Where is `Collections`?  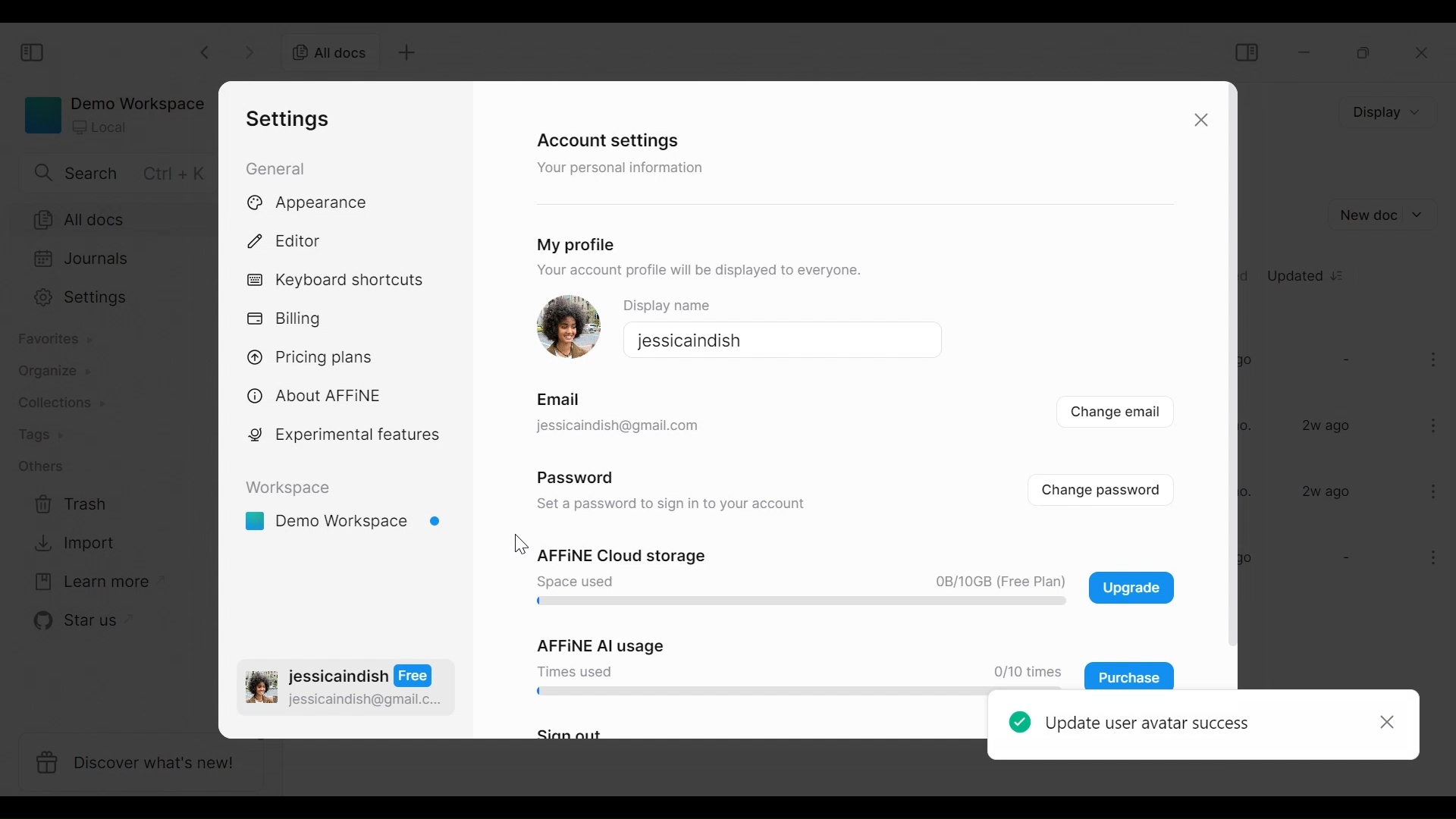 Collections is located at coordinates (58, 402).